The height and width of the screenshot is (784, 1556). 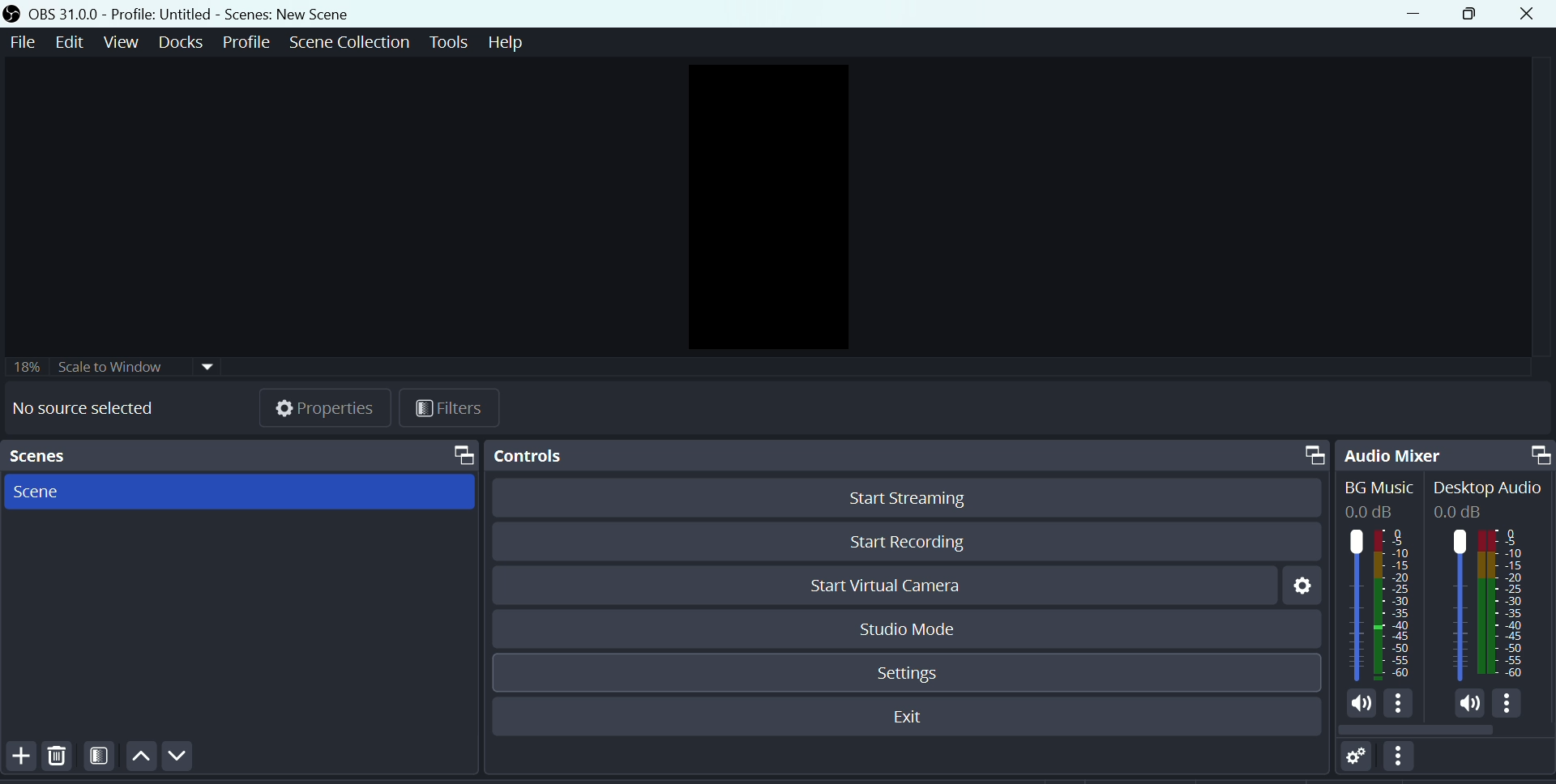 I want to click on OBS 31.0 .0 profile untitled scenes new scene, so click(x=194, y=14).